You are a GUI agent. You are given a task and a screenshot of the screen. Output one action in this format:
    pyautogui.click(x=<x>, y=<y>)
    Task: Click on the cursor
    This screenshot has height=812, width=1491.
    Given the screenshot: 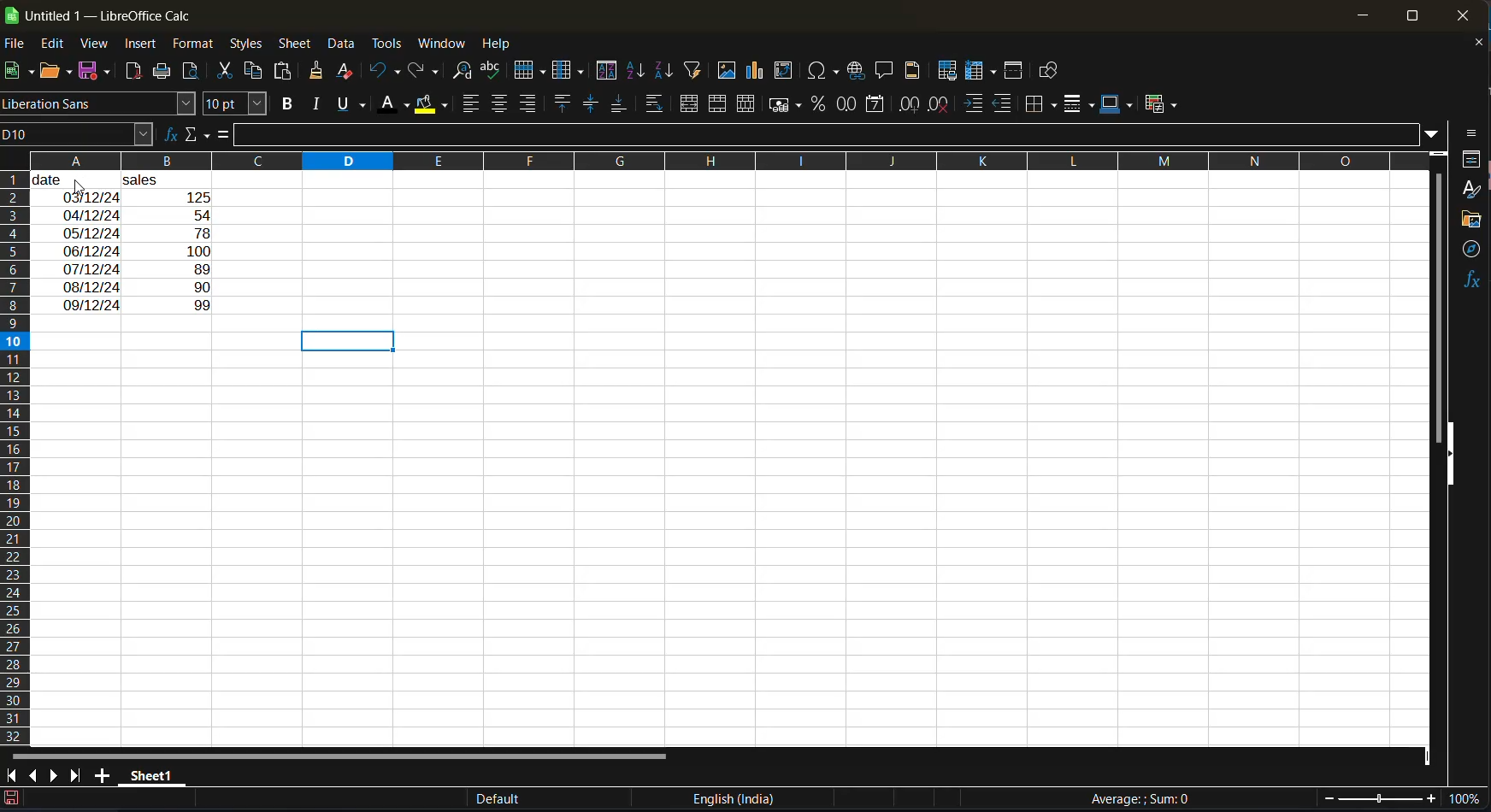 What is the action you would take?
    pyautogui.click(x=80, y=185)
    